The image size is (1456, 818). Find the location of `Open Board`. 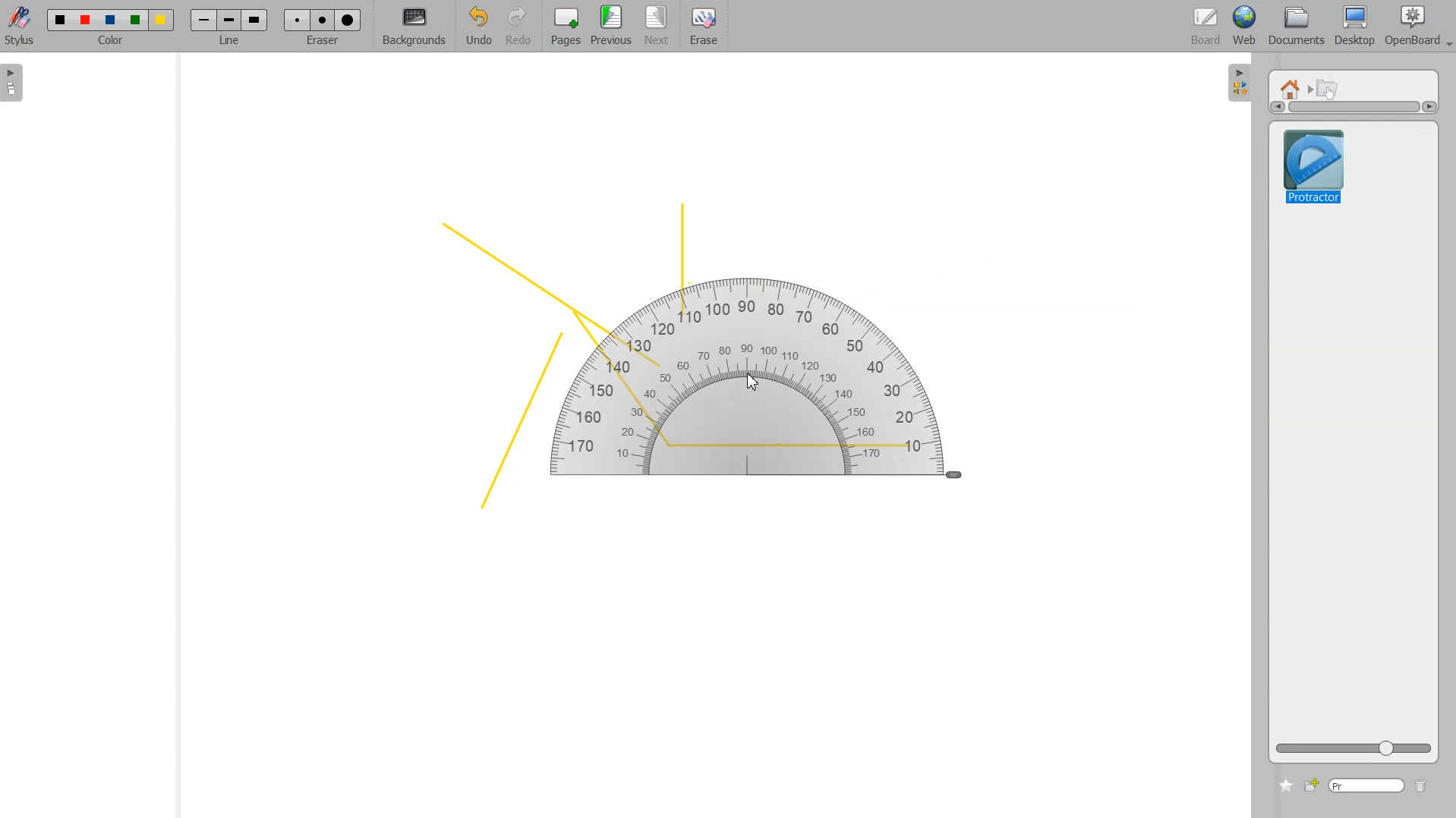

Open Board is located at coordinates (1418, 27).